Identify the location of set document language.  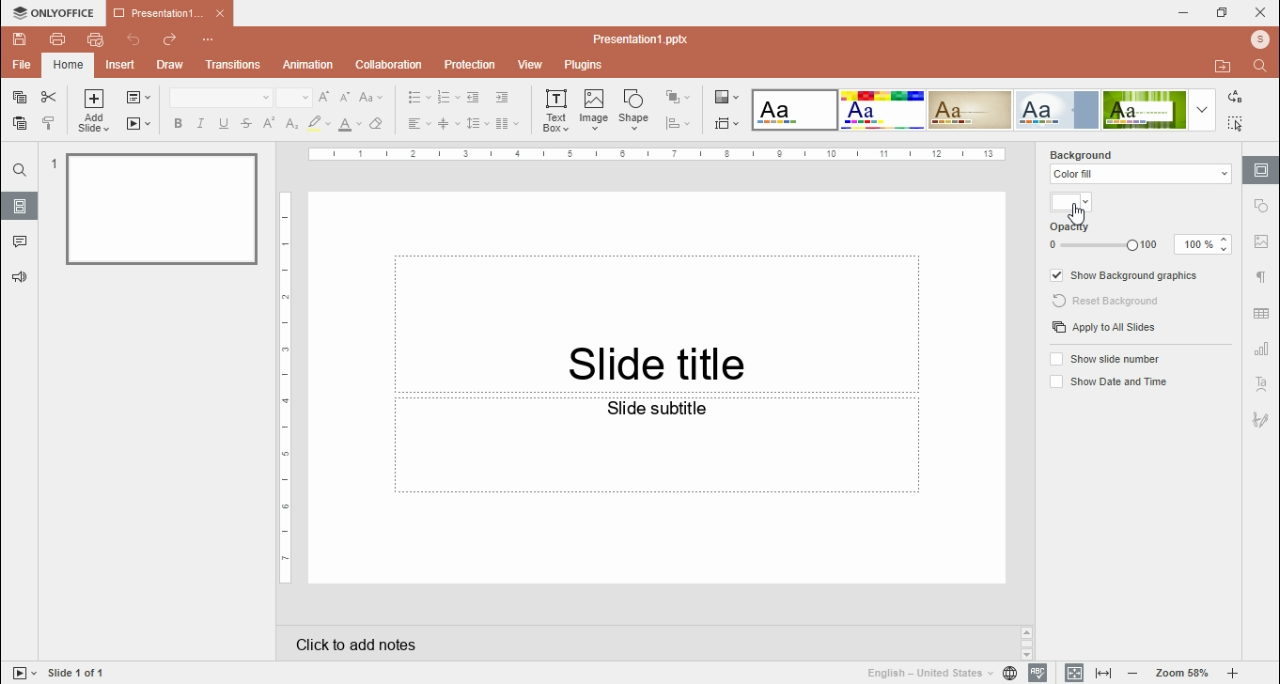
(1010, 674).